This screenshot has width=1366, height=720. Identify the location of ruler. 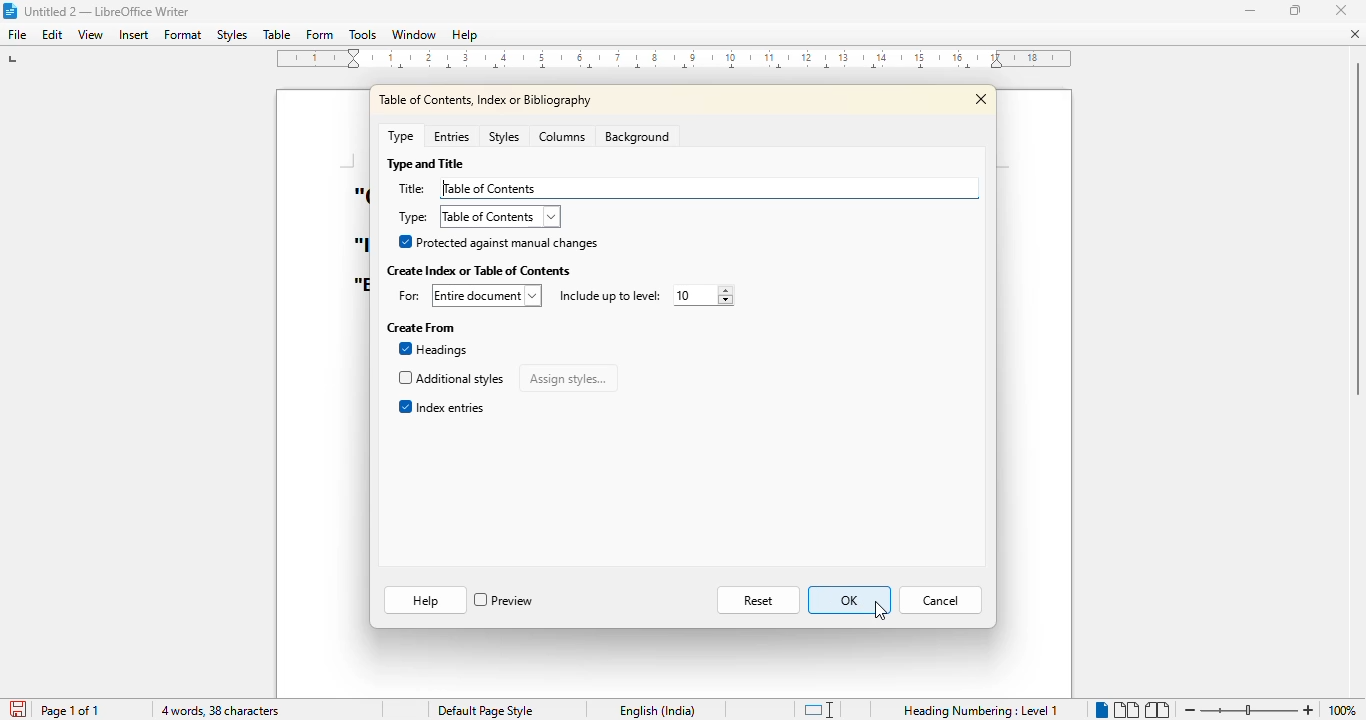
(675, 58).